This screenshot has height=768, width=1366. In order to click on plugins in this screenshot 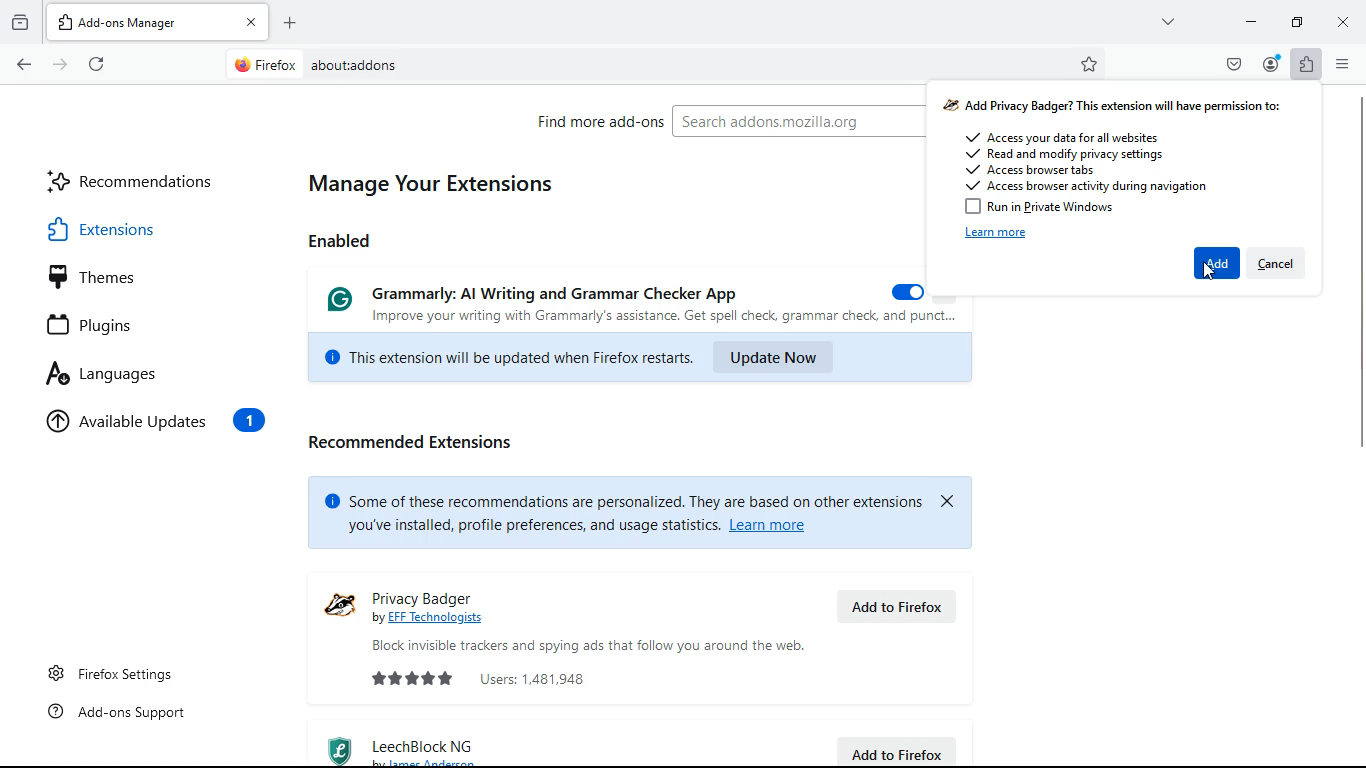, I will do `click(149, 323)`.